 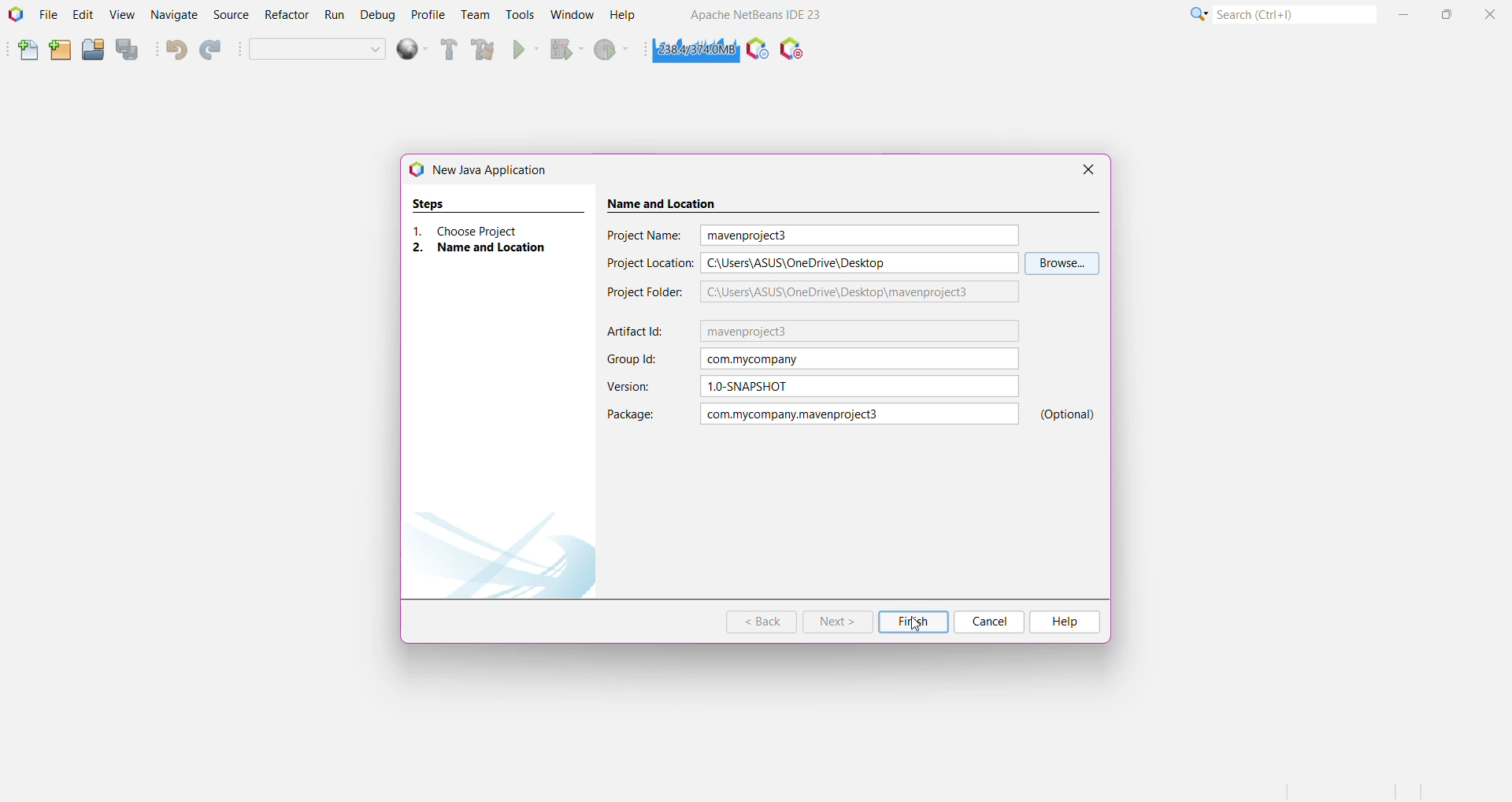 What do you see at coordinates (1404, 16) in the screenshot?
I see `Minimize` at bounding box center [1404, 16].